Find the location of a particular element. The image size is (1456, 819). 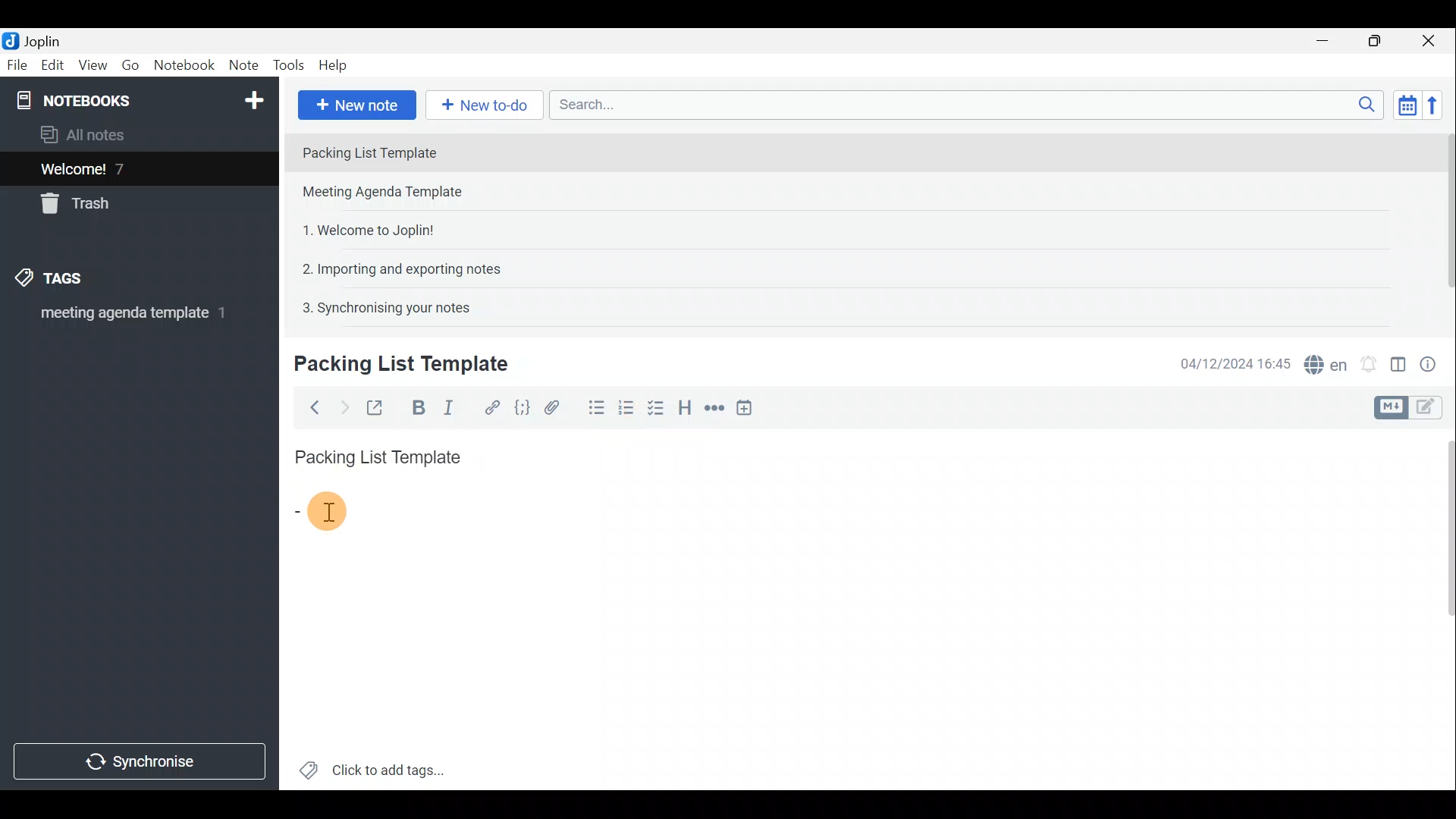

Toggle external editing is located at coordinates (376, 406).